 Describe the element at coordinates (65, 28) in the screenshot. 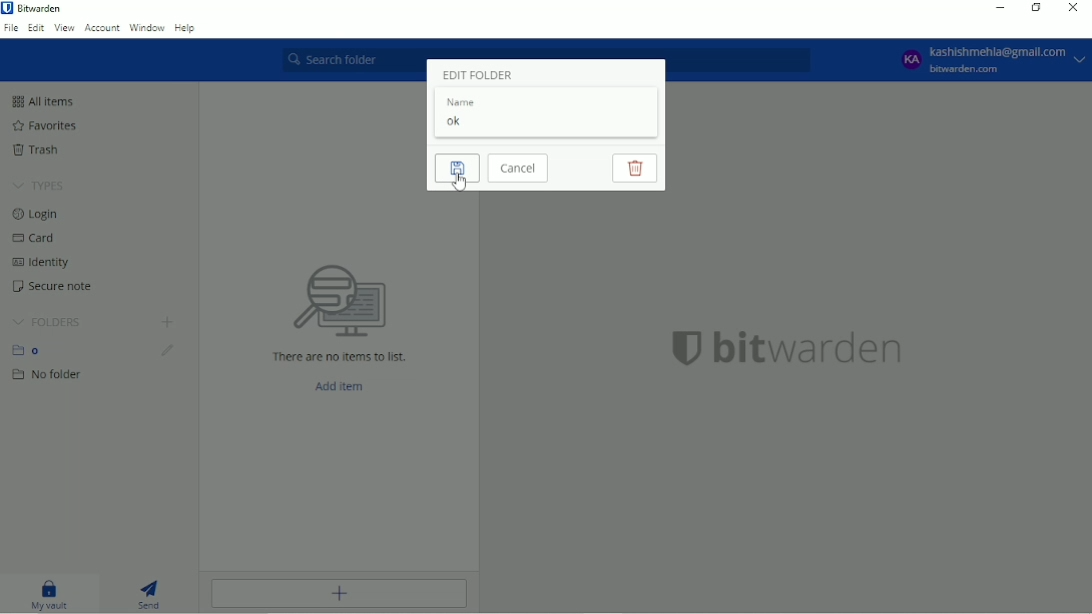

I see `View` at that location.